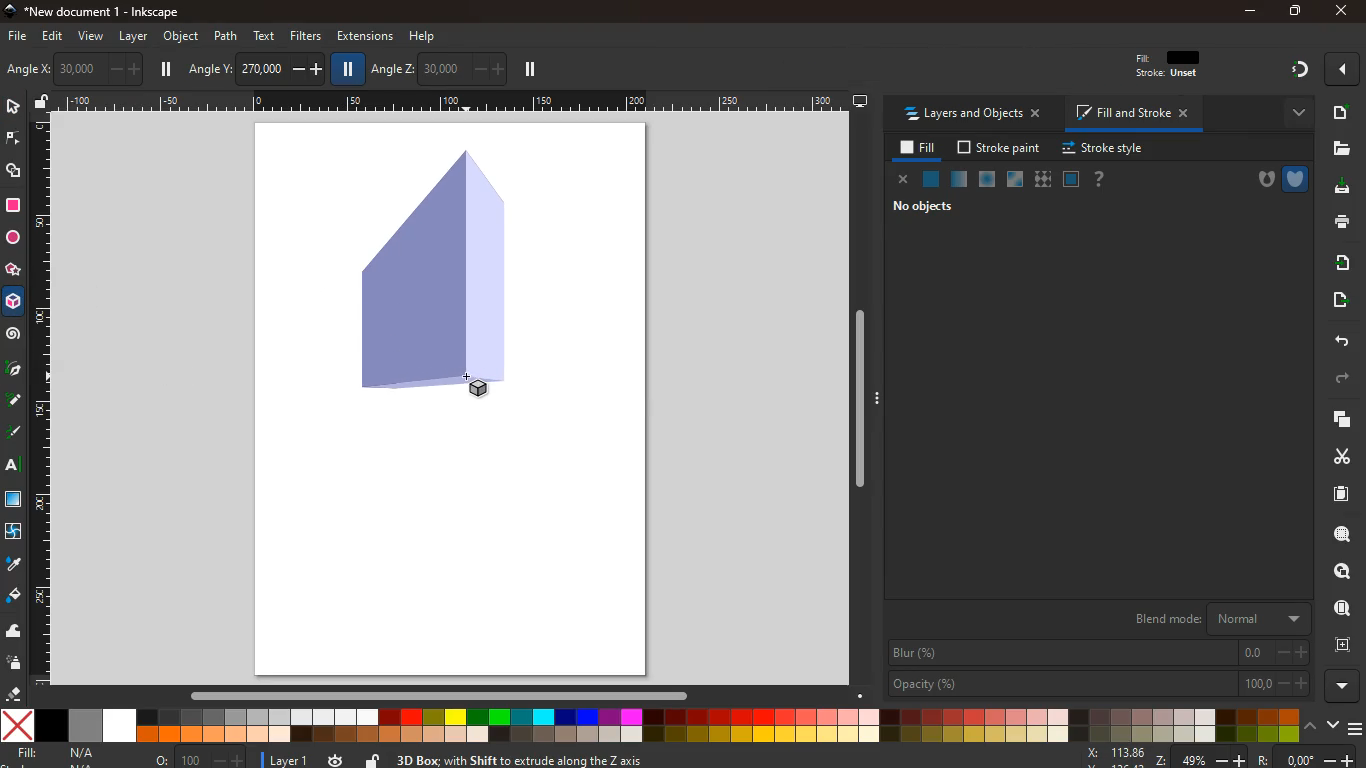 Image resolution: width=1366 pixels, height=768 pixels. What do you see at coordinates (978, 115) in the screenshot?
I see `layers and objects` at bounding box center [978, 115].